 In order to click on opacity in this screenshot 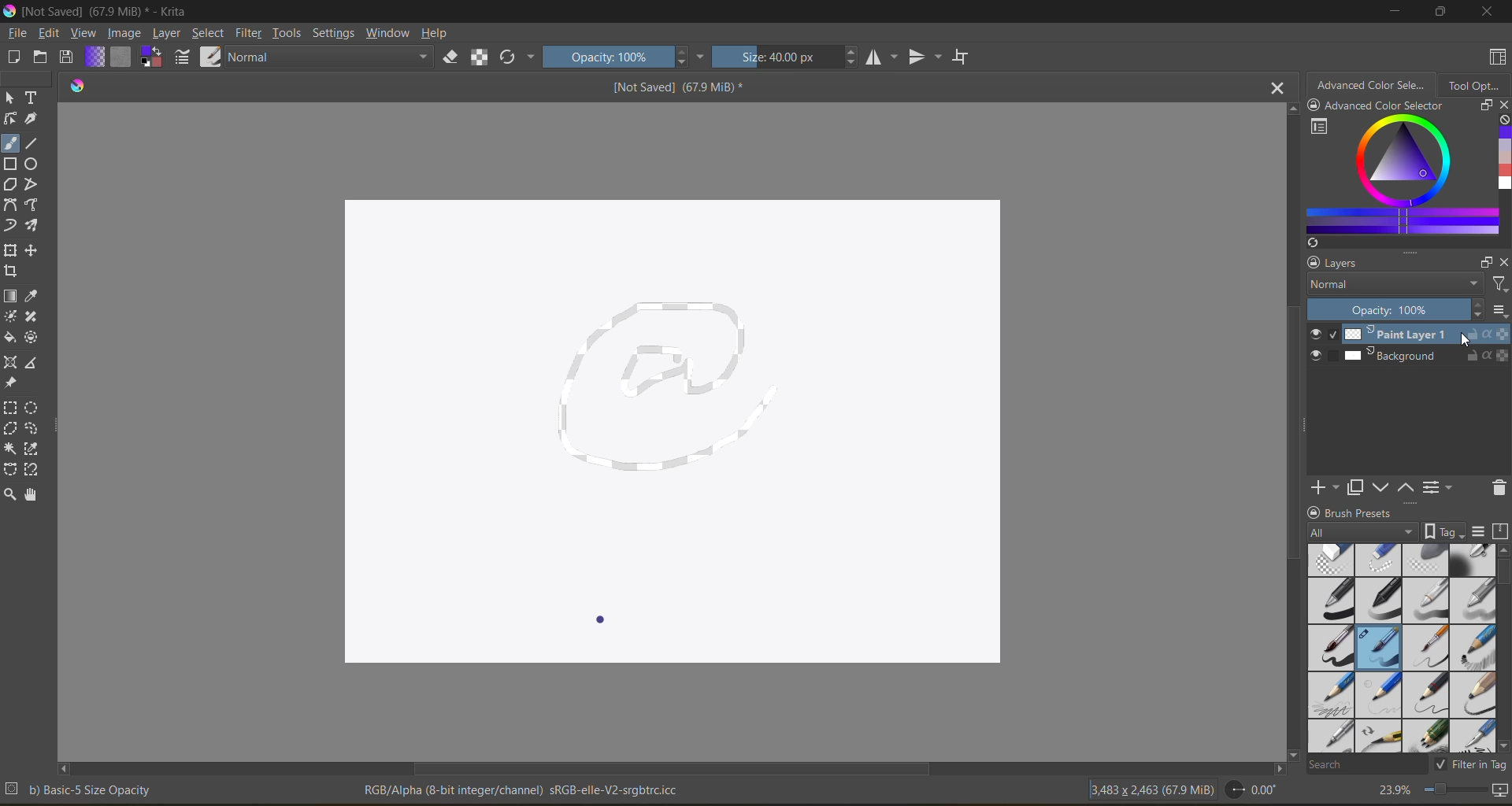, I will do `click(606, 57)`.